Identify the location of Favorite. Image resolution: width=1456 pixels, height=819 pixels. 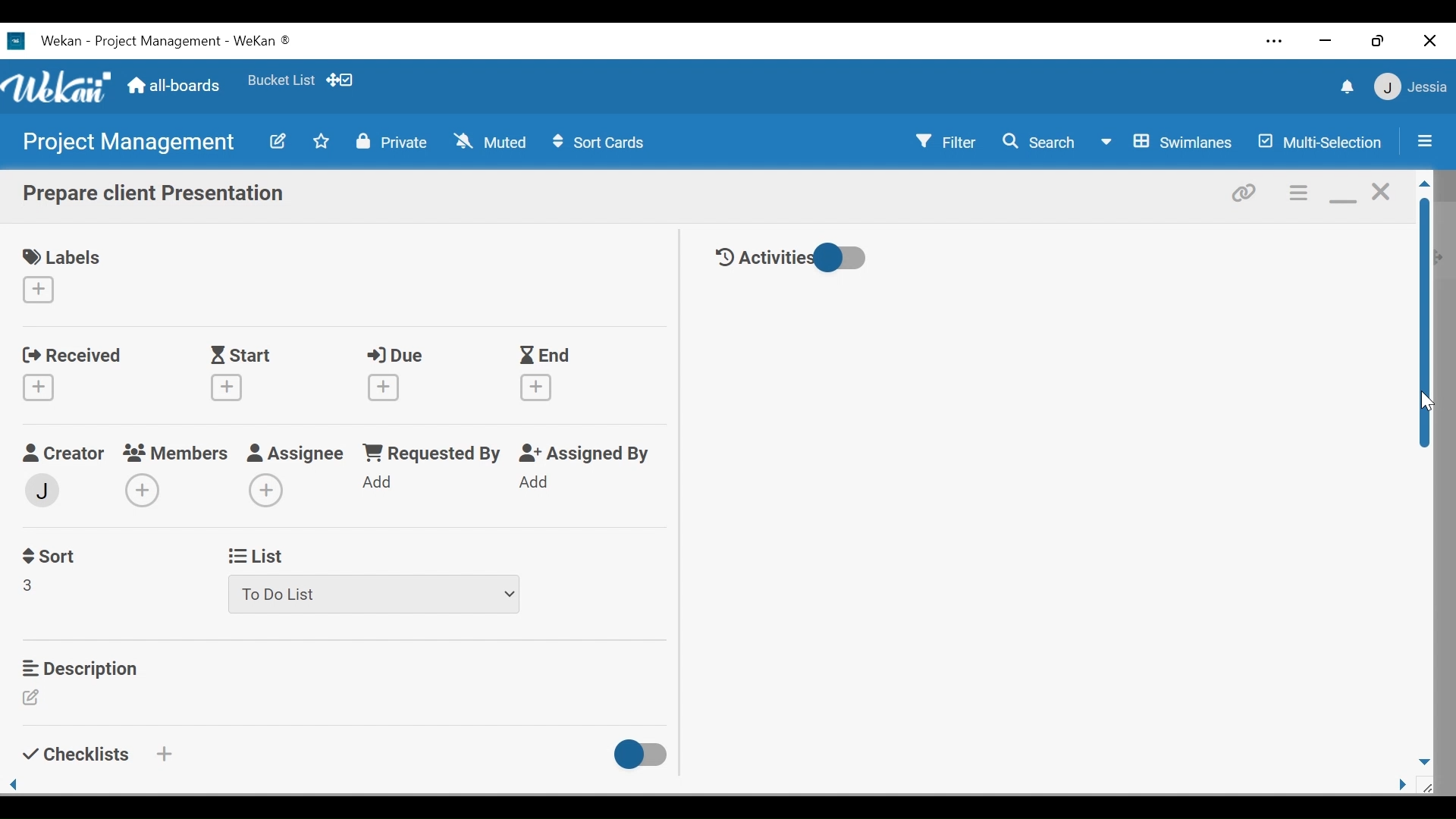
(281, 80).